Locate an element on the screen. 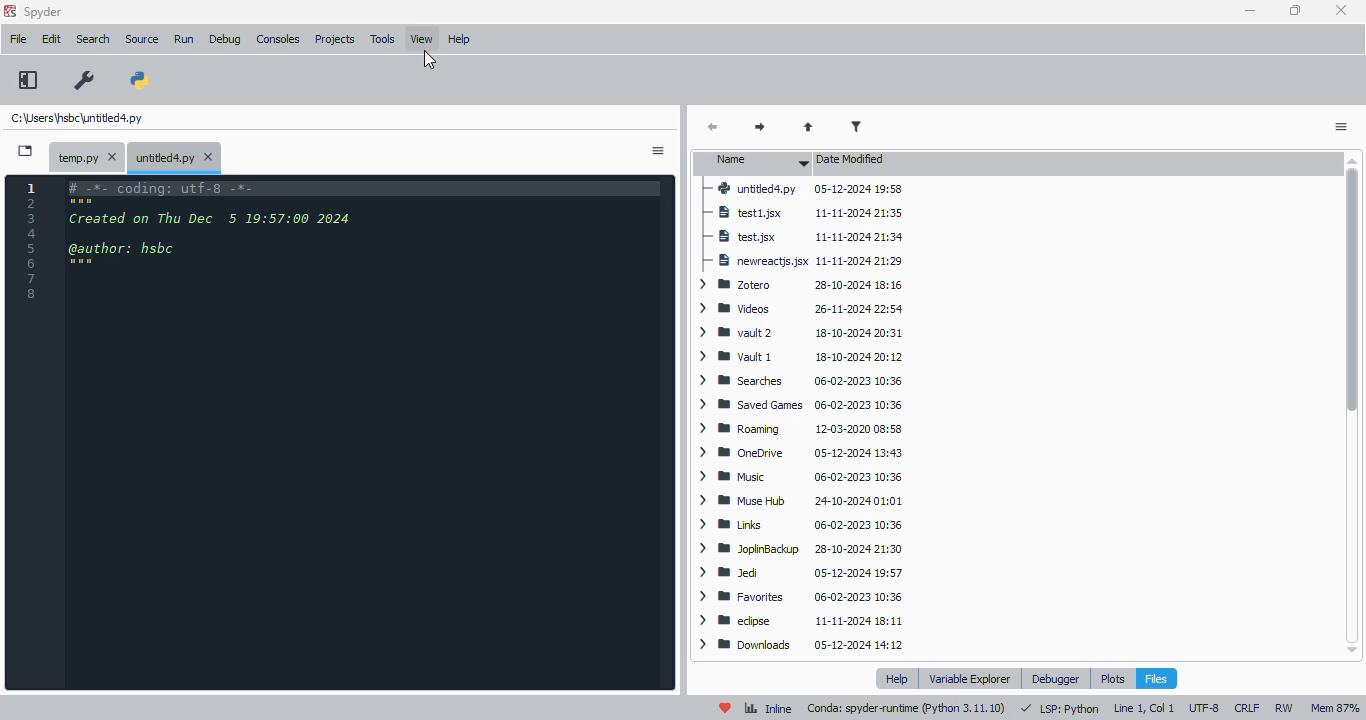 This screenshot has height=720, width=1366. maximize is located at coordinates (1296, 10).